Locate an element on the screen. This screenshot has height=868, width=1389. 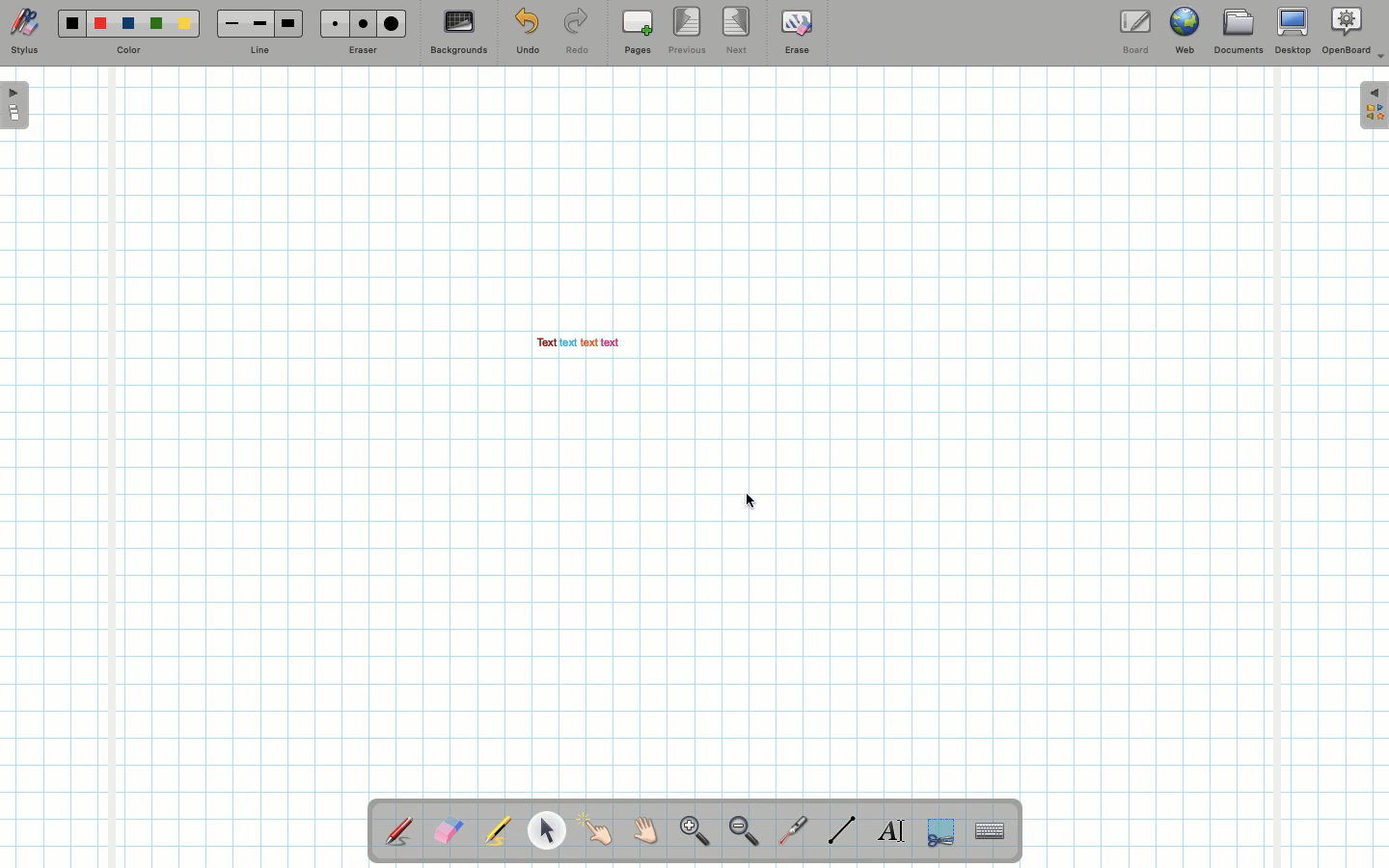
text is located at coordinates (589, 343).